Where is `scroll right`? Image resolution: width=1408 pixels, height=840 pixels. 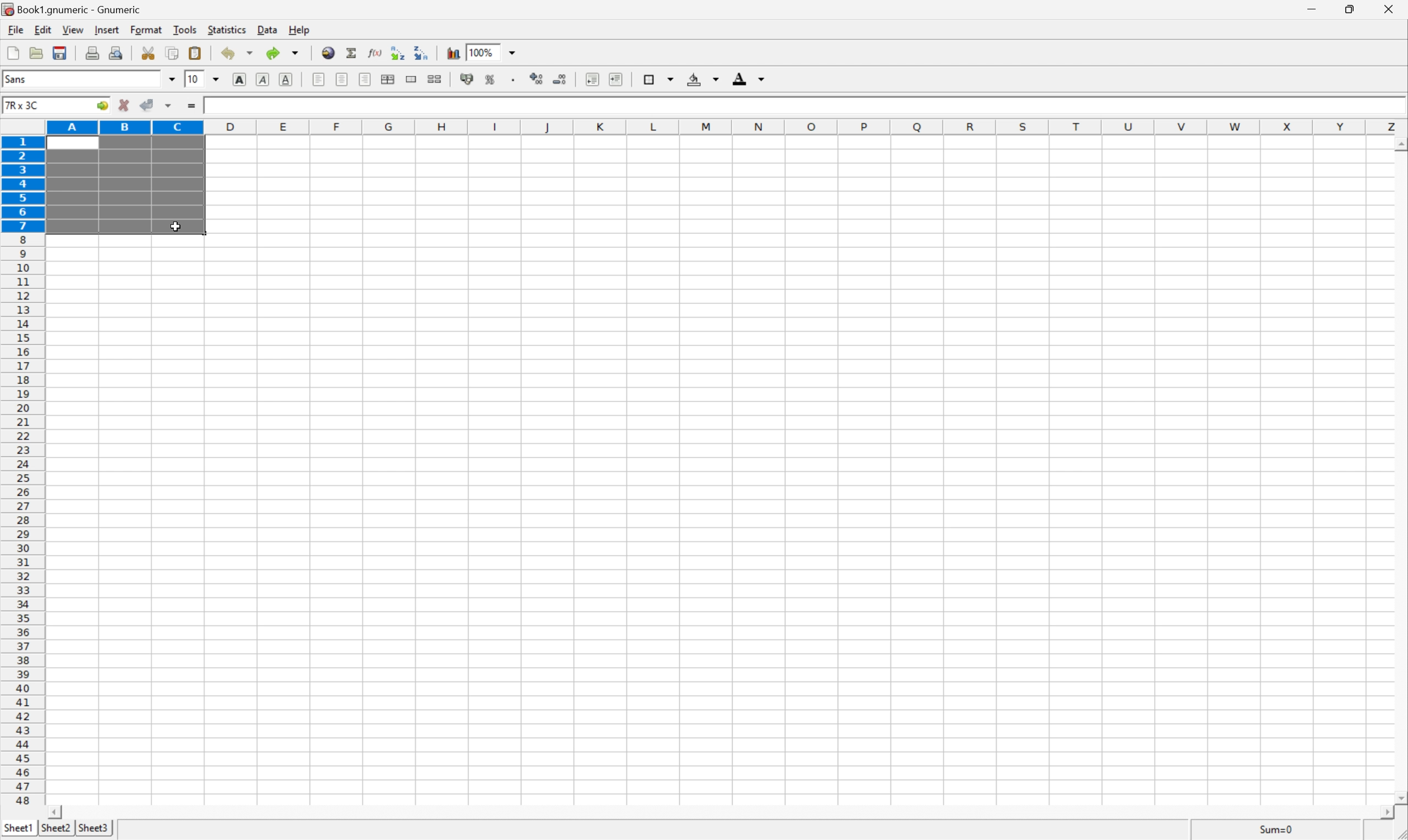 scroll right is located at coordinates (1390, 818).